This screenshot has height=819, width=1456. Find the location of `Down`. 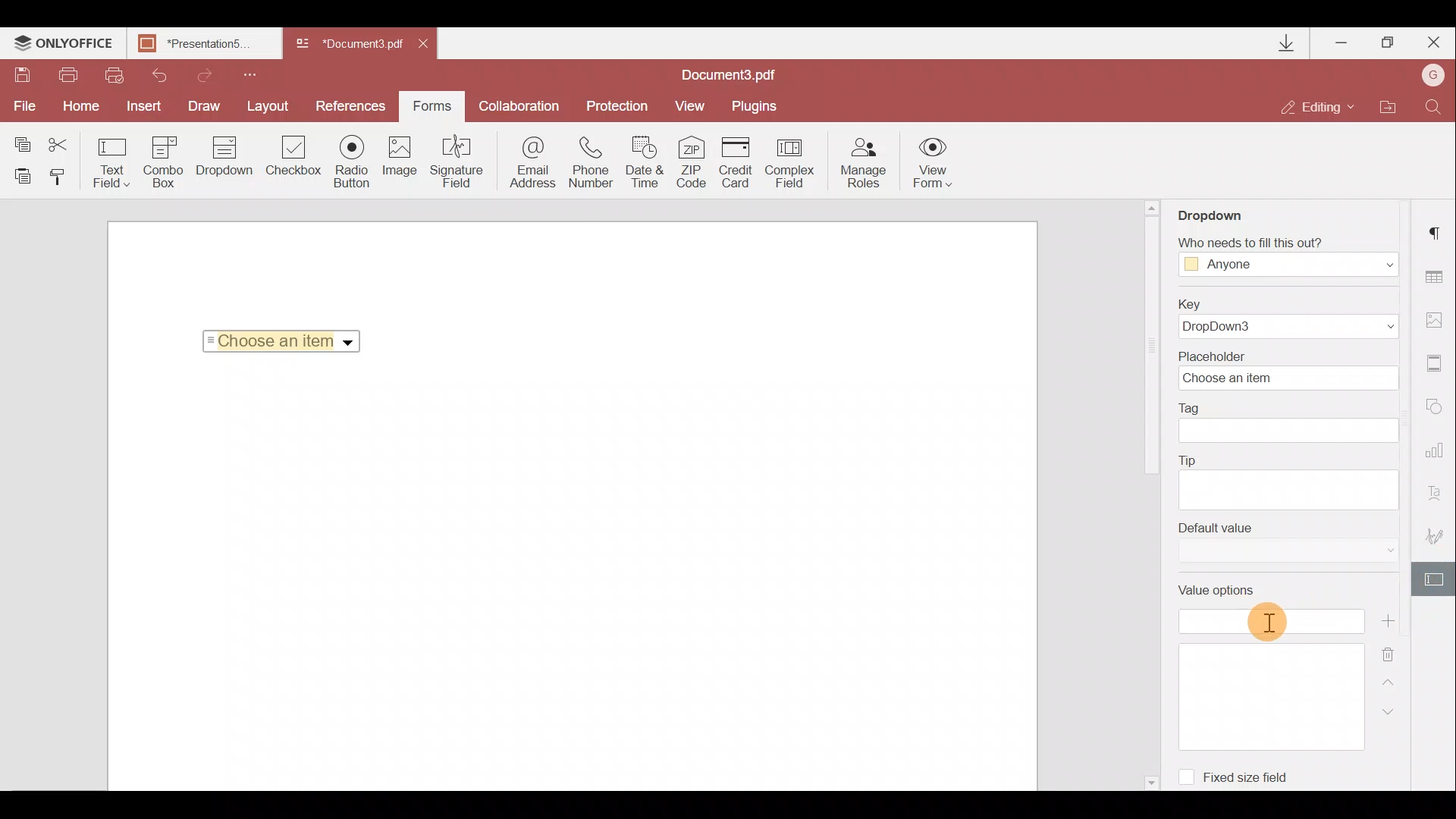

Down is located at coordinates (1385, 711).